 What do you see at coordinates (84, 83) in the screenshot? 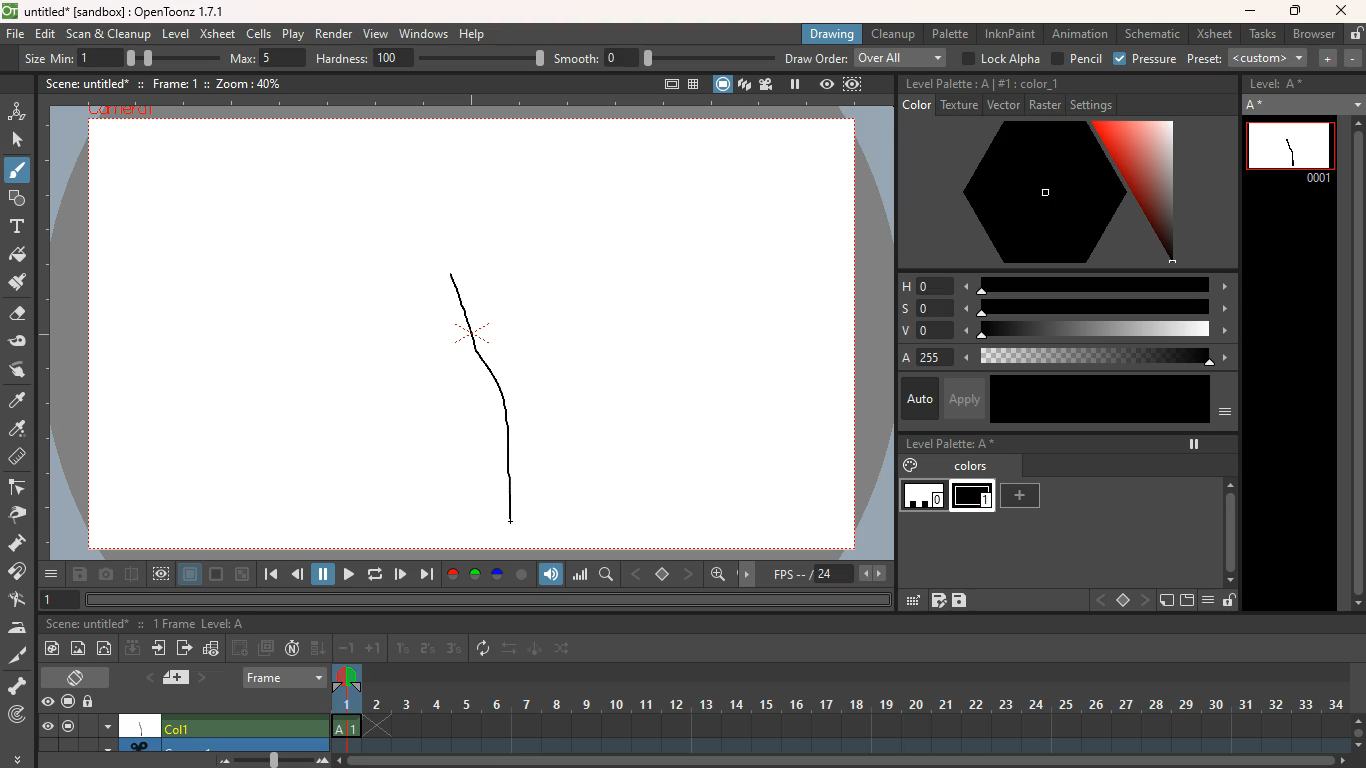
I see `scene: untitled` at bounding box center [84, 83].